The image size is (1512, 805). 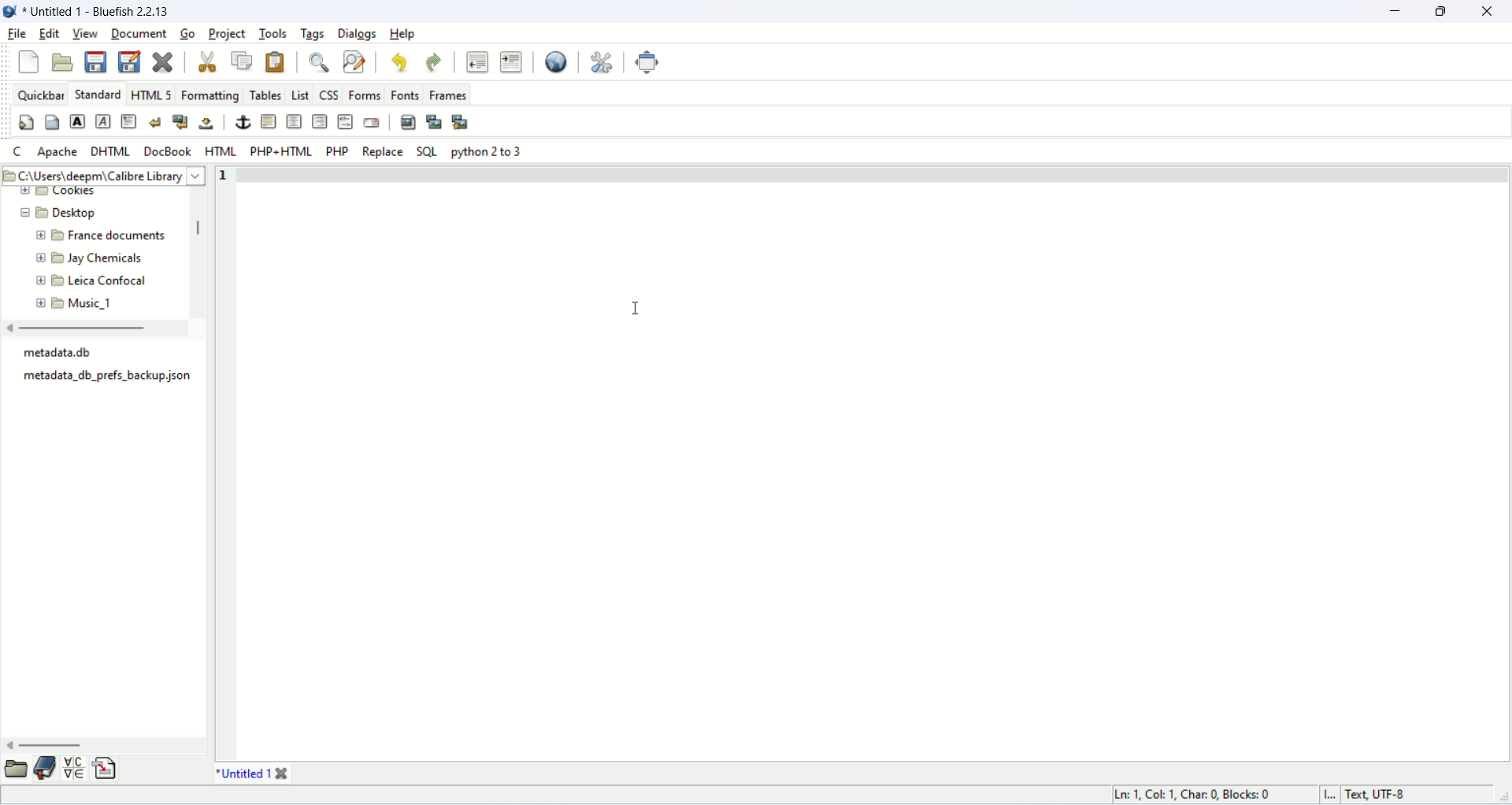 I want to click on break and clear, so click(x=180, y=121).